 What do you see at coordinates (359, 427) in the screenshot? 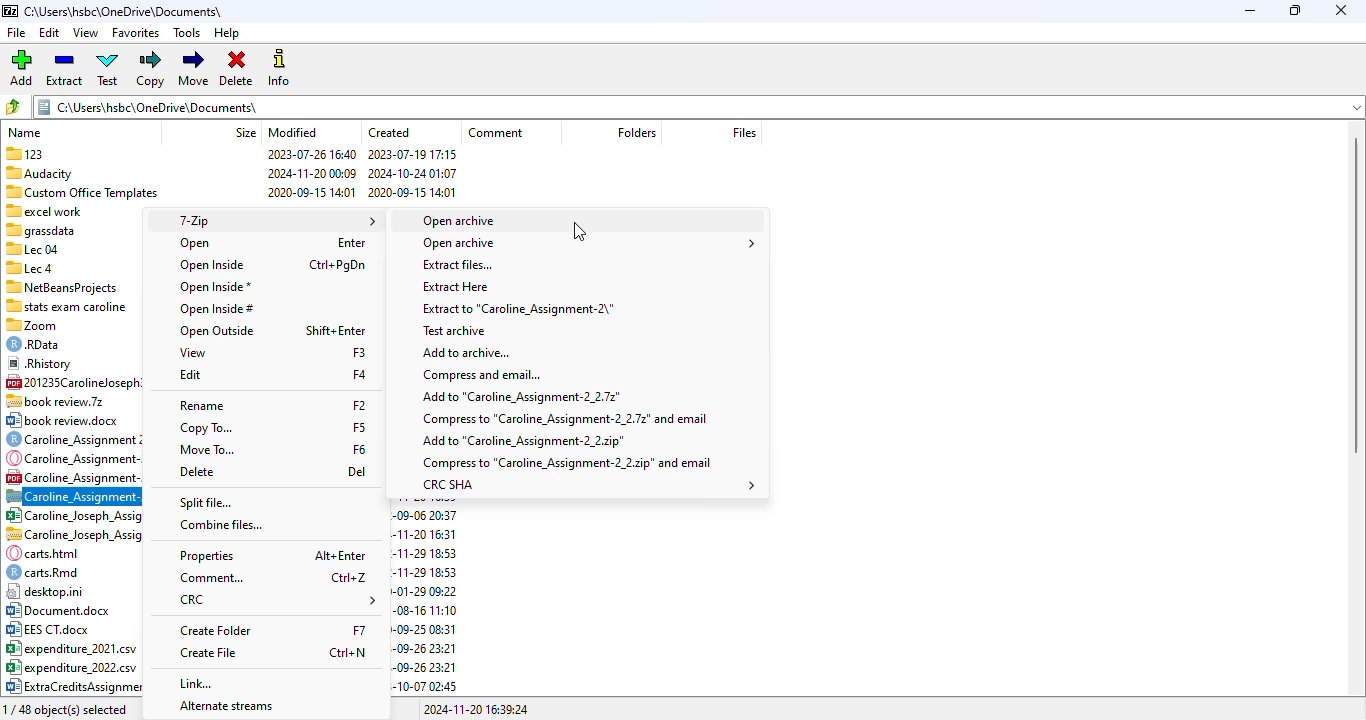
I see `shortcut for copy to` at bounding box center [359, 427].